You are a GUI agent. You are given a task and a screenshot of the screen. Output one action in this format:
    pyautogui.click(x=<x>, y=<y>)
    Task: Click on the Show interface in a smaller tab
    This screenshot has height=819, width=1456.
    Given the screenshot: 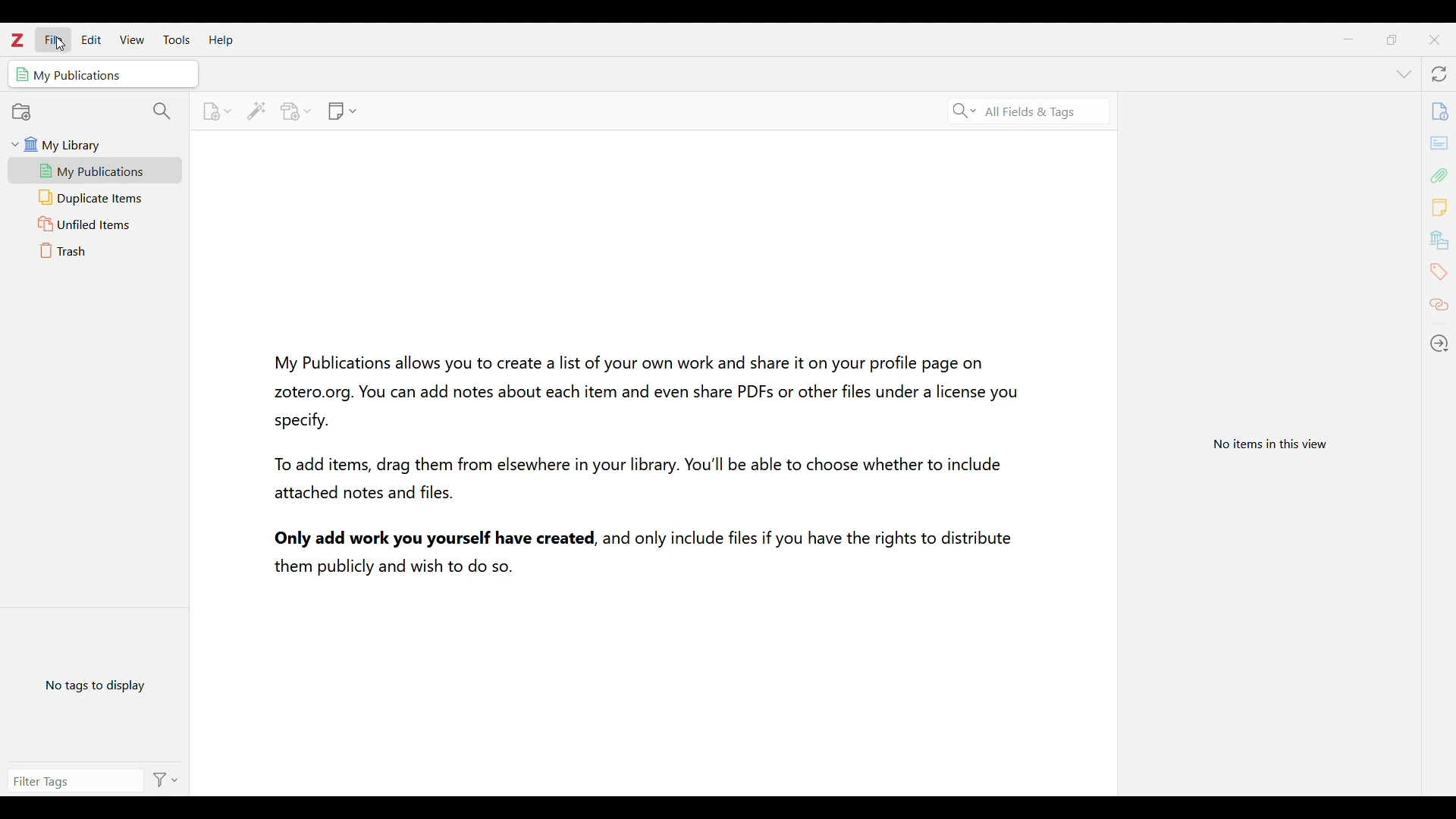 What is the action you would take?
    pyautogui.click(x=1391, y=39)
    